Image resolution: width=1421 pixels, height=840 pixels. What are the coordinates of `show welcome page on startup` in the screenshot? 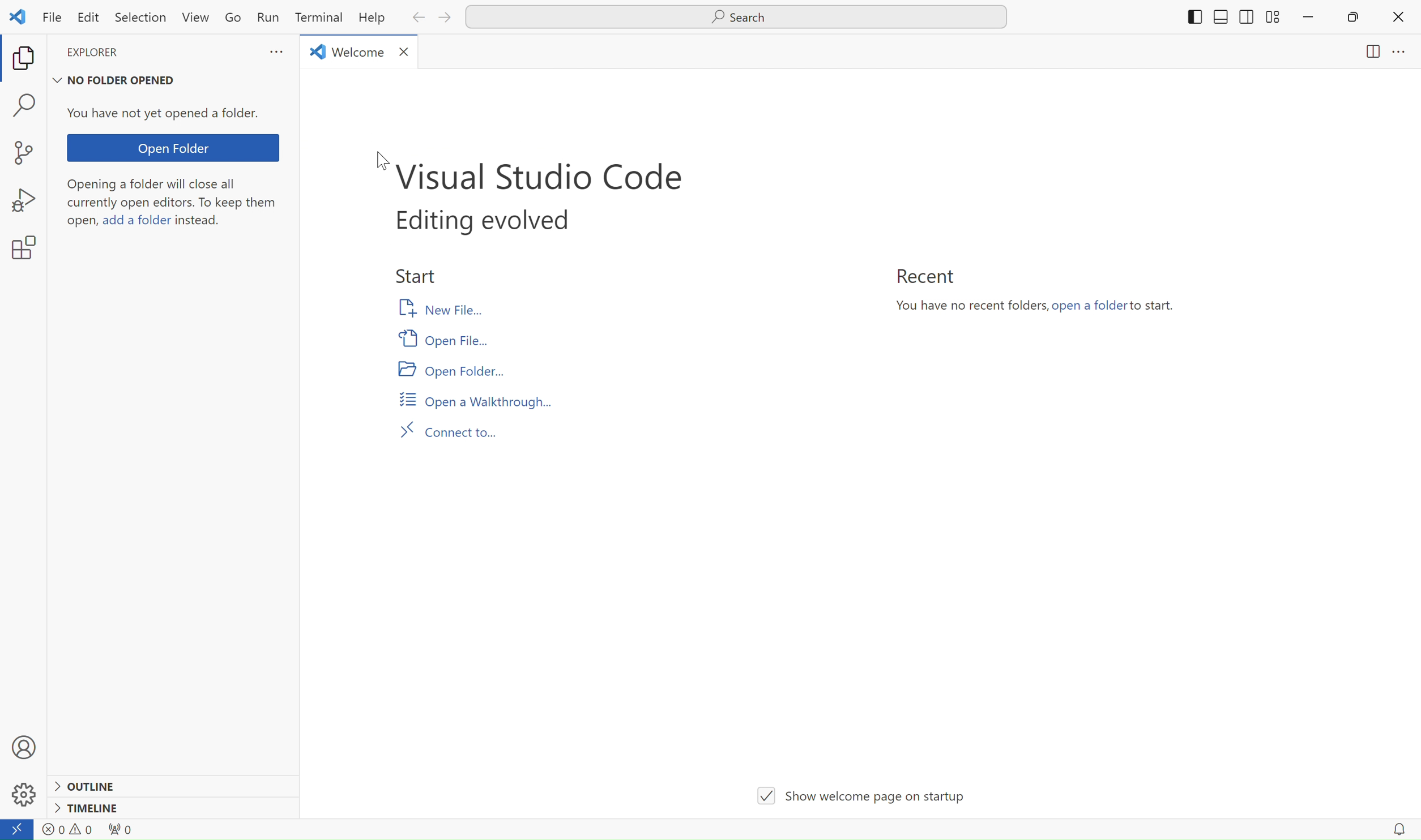 It's located at (859, 786).